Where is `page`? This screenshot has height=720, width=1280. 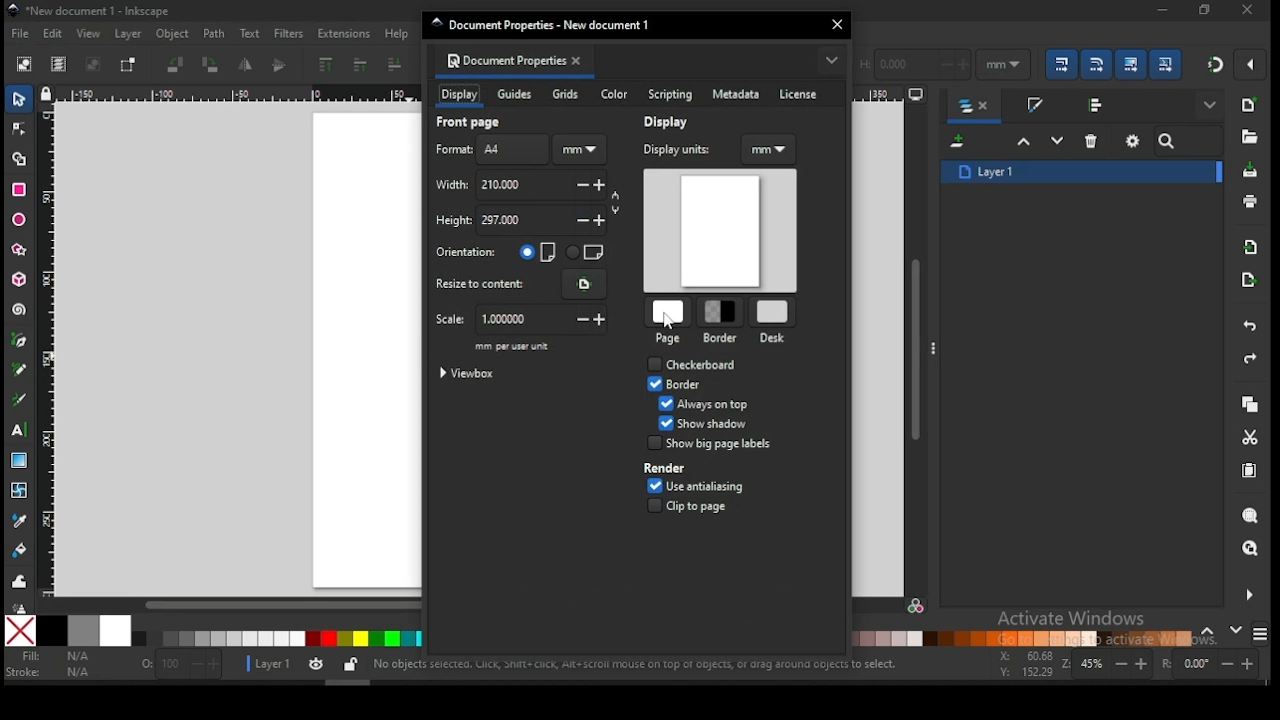 page is located at coordinates (668, 339).